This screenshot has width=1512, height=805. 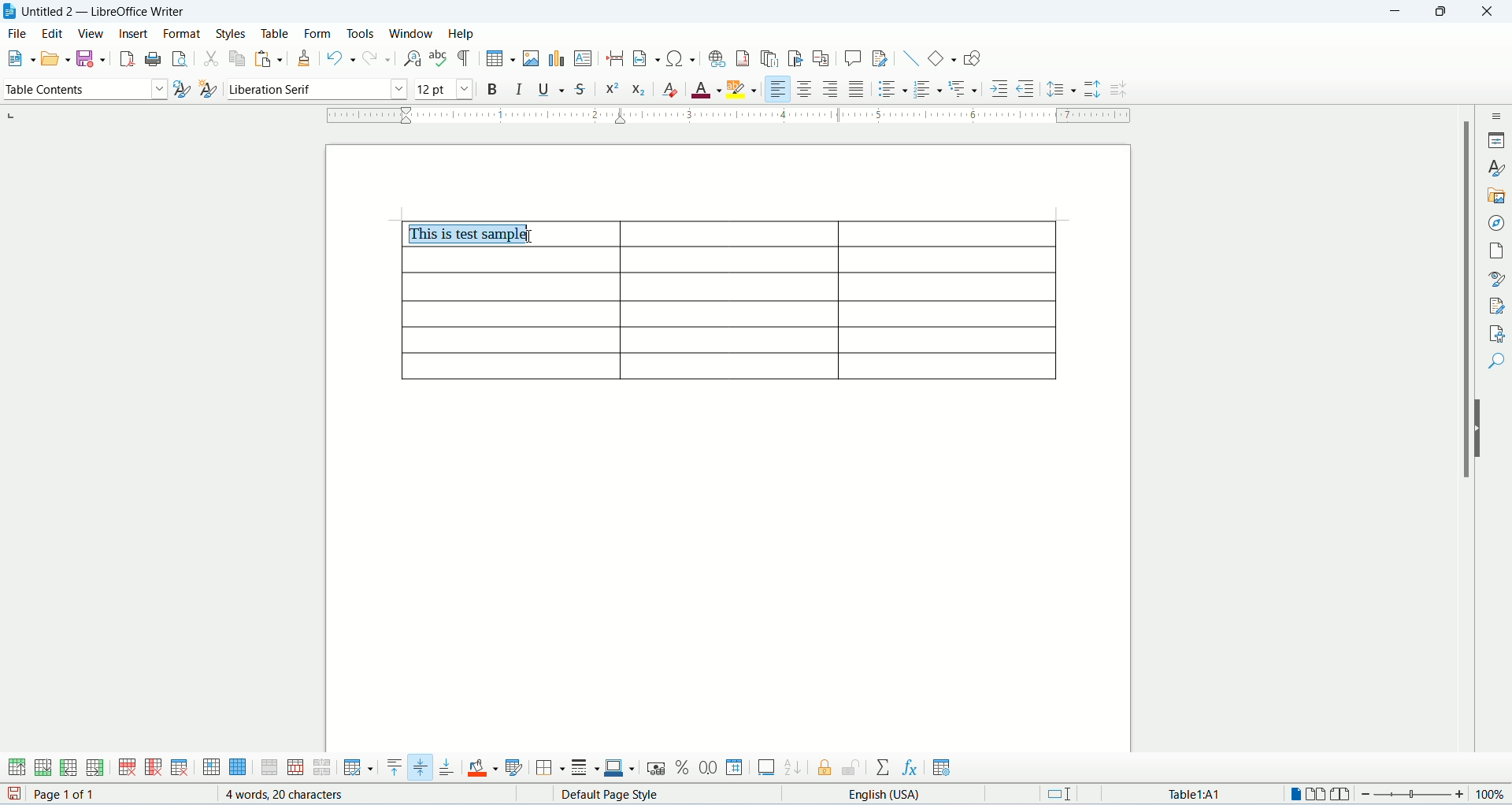 What do you see at coordinates (728, 115) in the screenshot?
I see `ruler` at bounding box center [728, 115].